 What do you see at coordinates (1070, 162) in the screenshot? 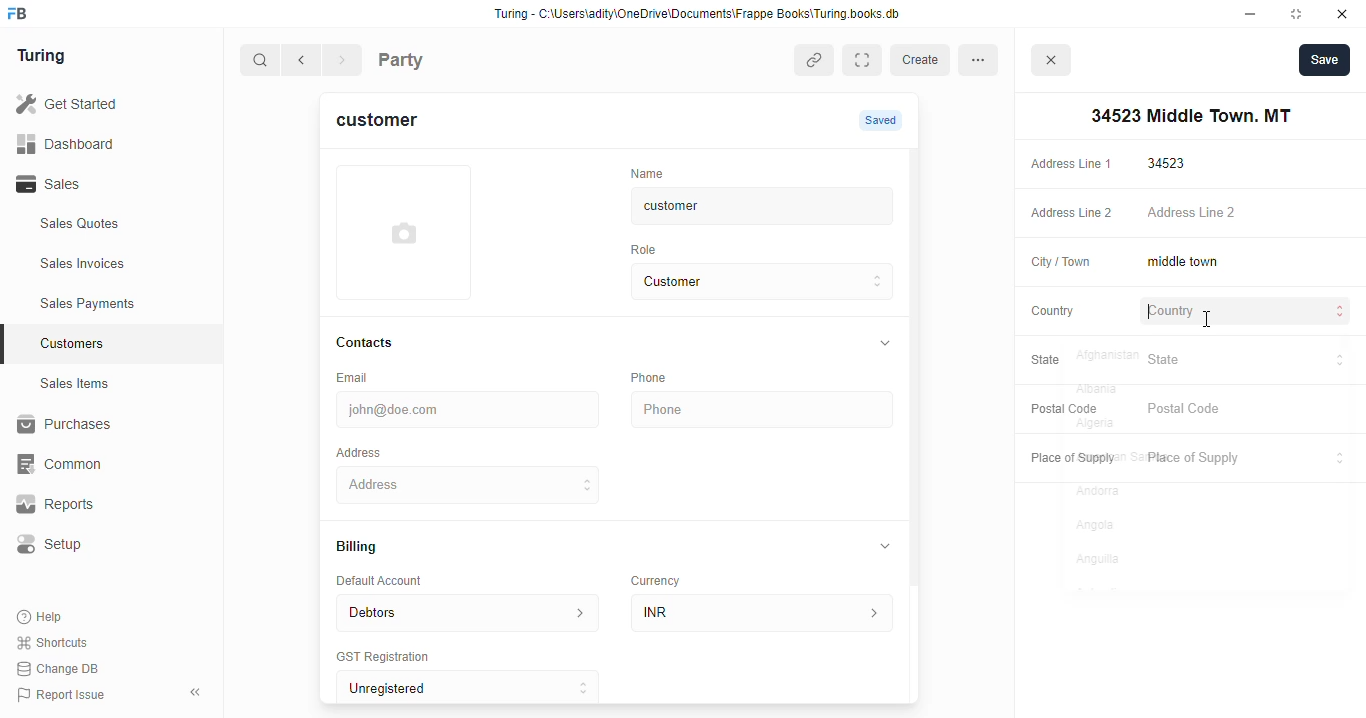
I see `Address Line 1` at bounding box center [1070, 162].